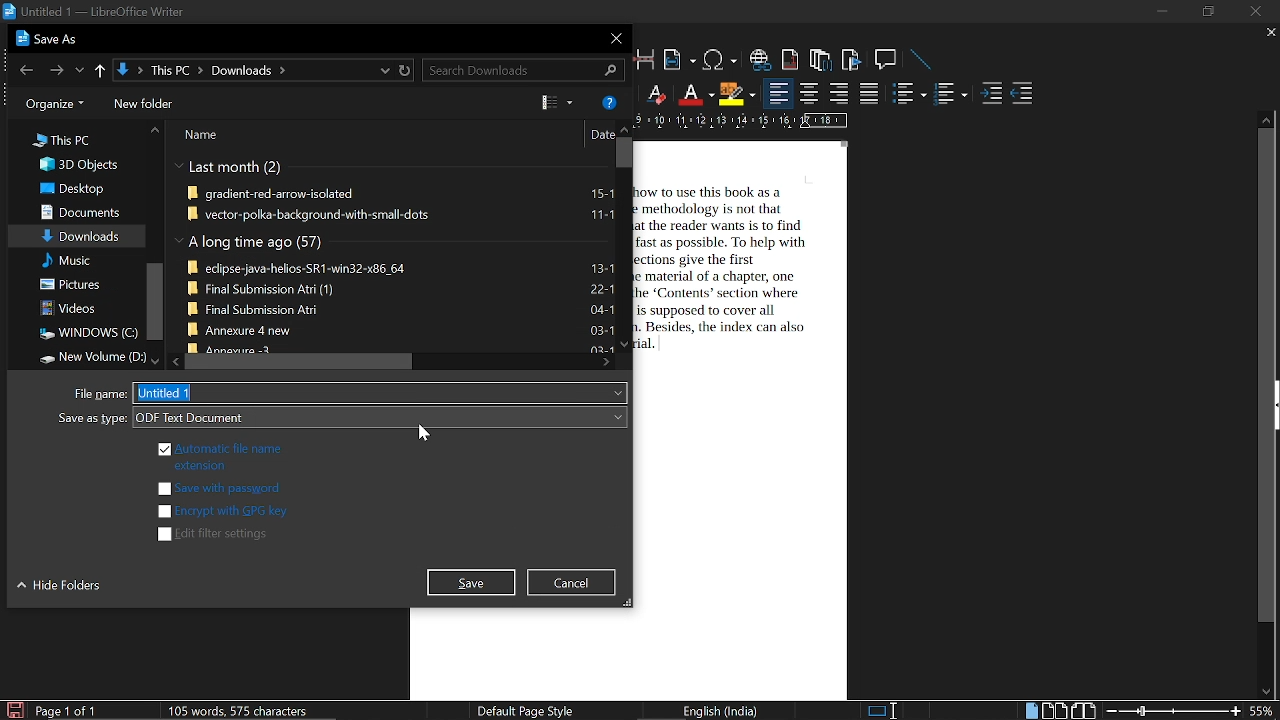 The height and width of the screenshot is (720, 1280). I want to click on minimize, so click(1160, 12).